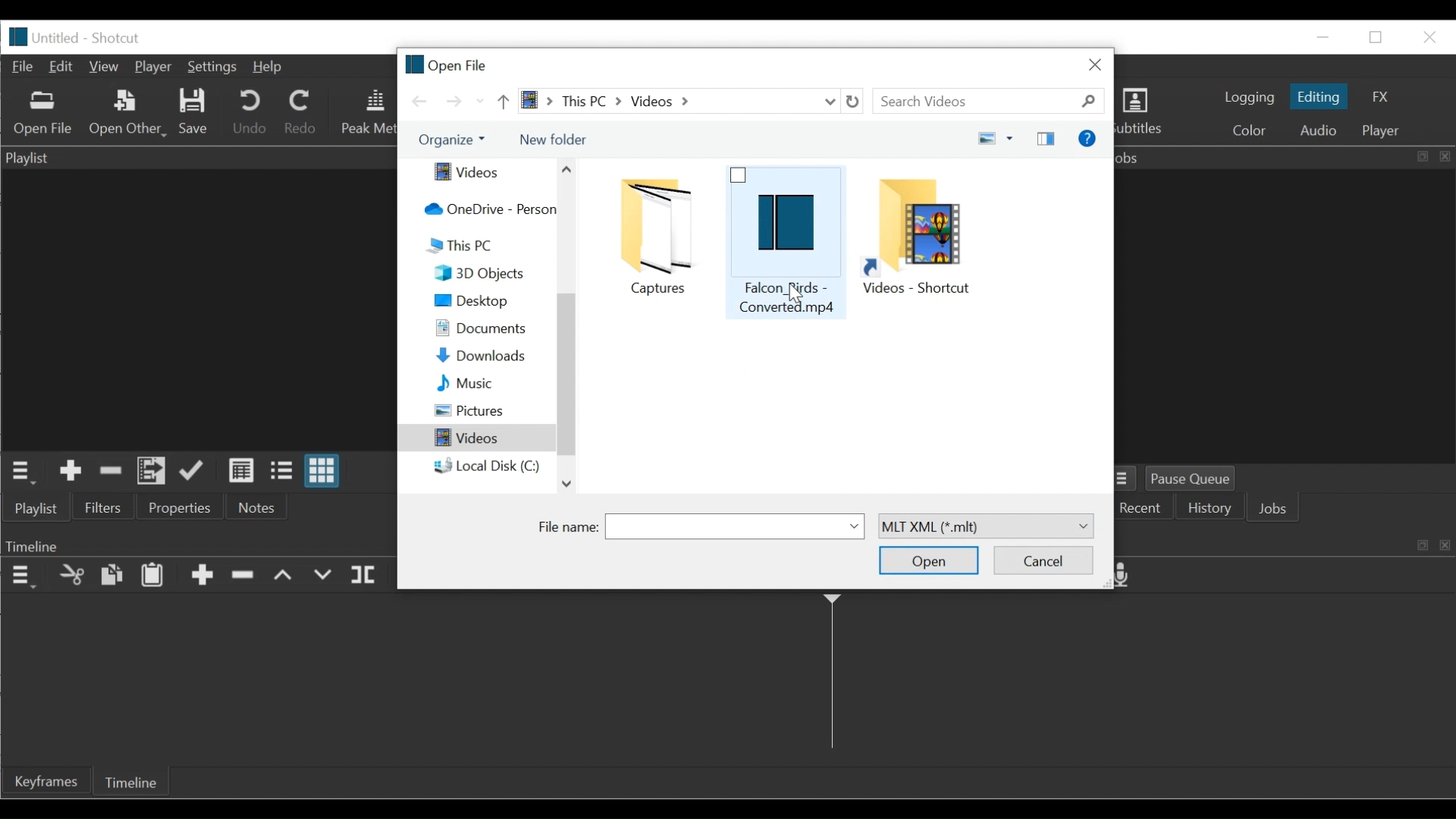 The image size is (1456, 819). What do you see at coordinates (192, 114) in the screenshot?
I see `Save` at bounding box center [192, 114].